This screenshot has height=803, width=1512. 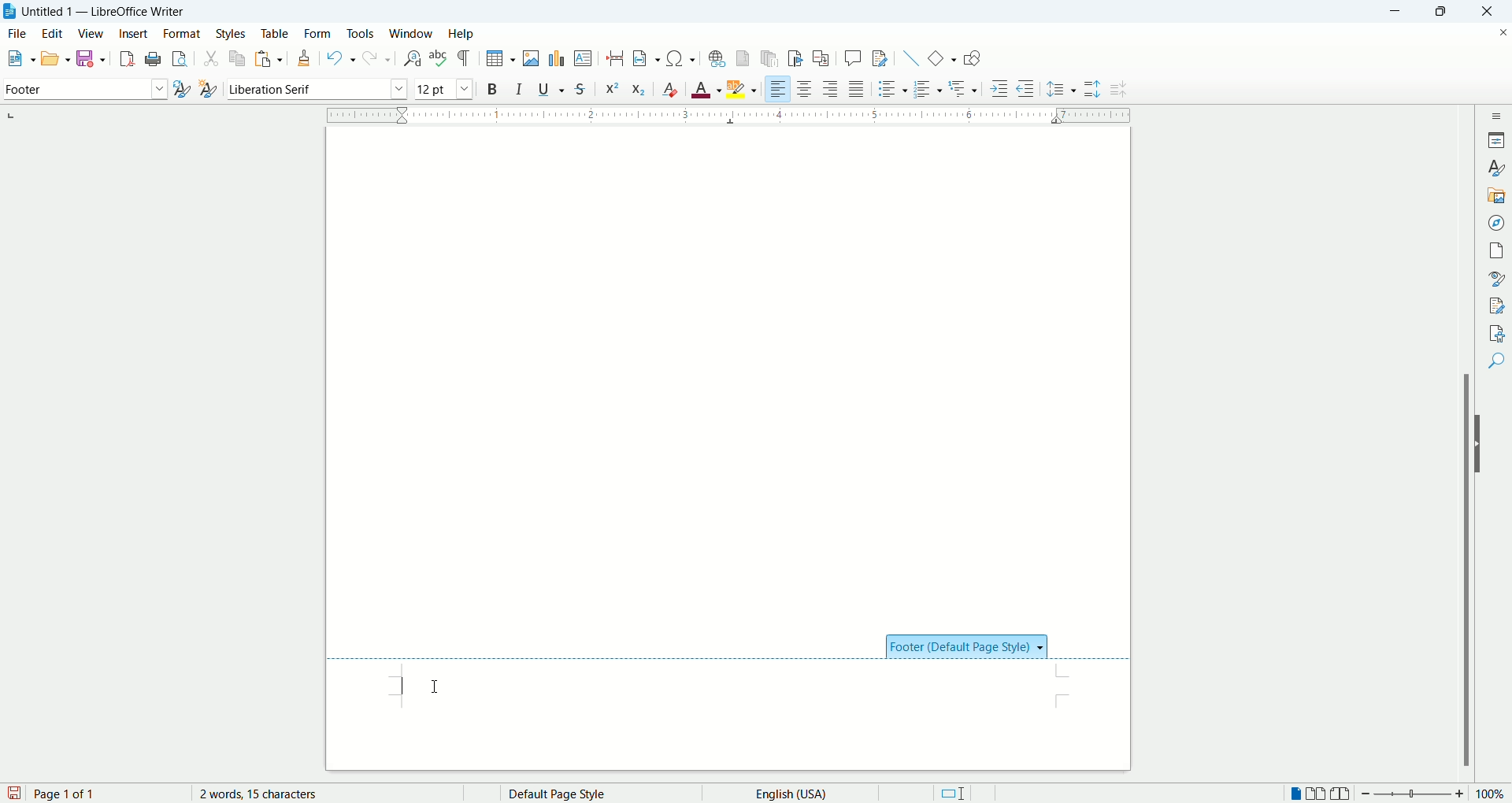 I want to click on spell check, so click(x=440, y=58).